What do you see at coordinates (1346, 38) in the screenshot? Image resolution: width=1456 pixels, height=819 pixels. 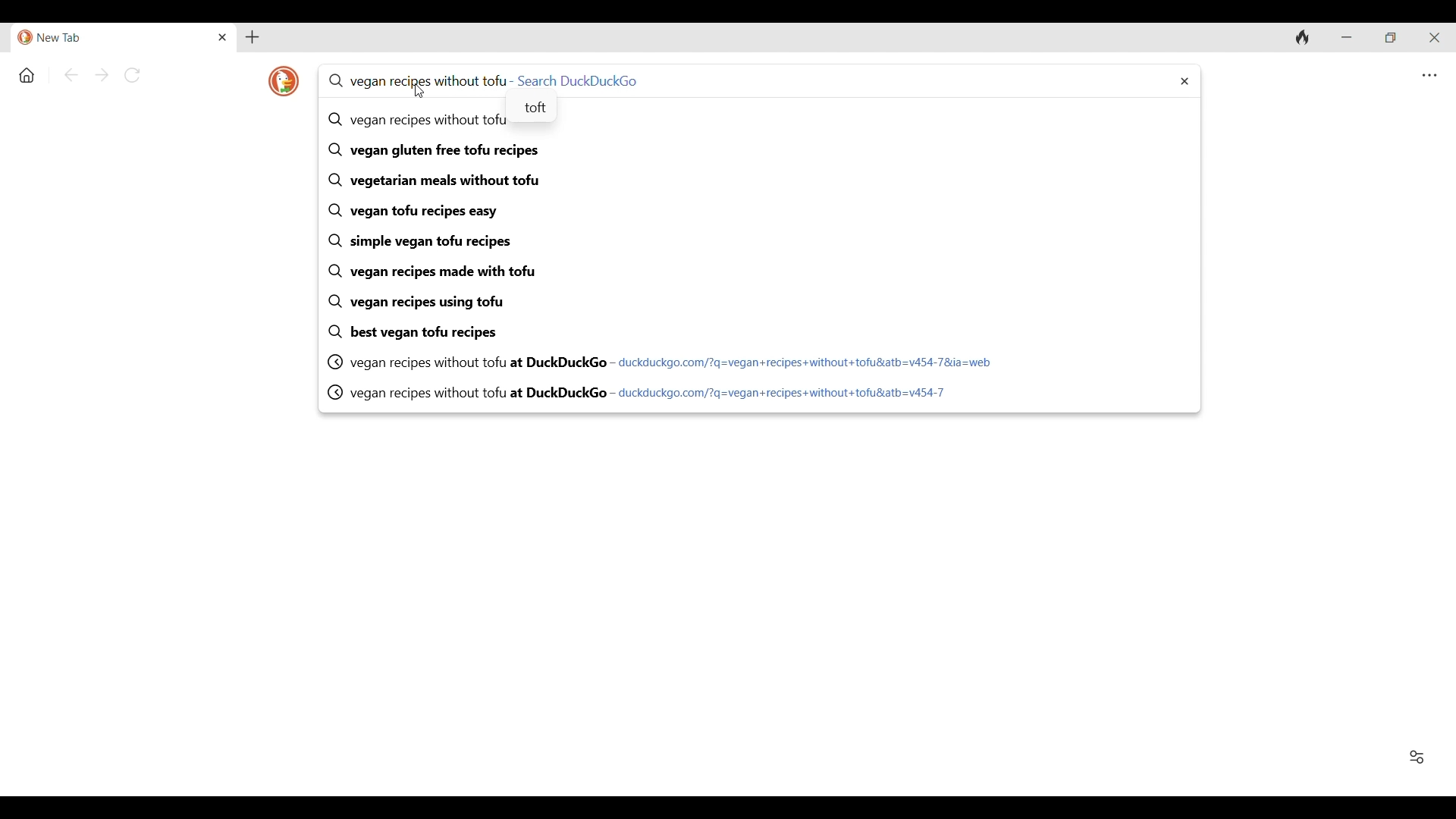 I see `Minimize` at bounding box center [1346, 38].